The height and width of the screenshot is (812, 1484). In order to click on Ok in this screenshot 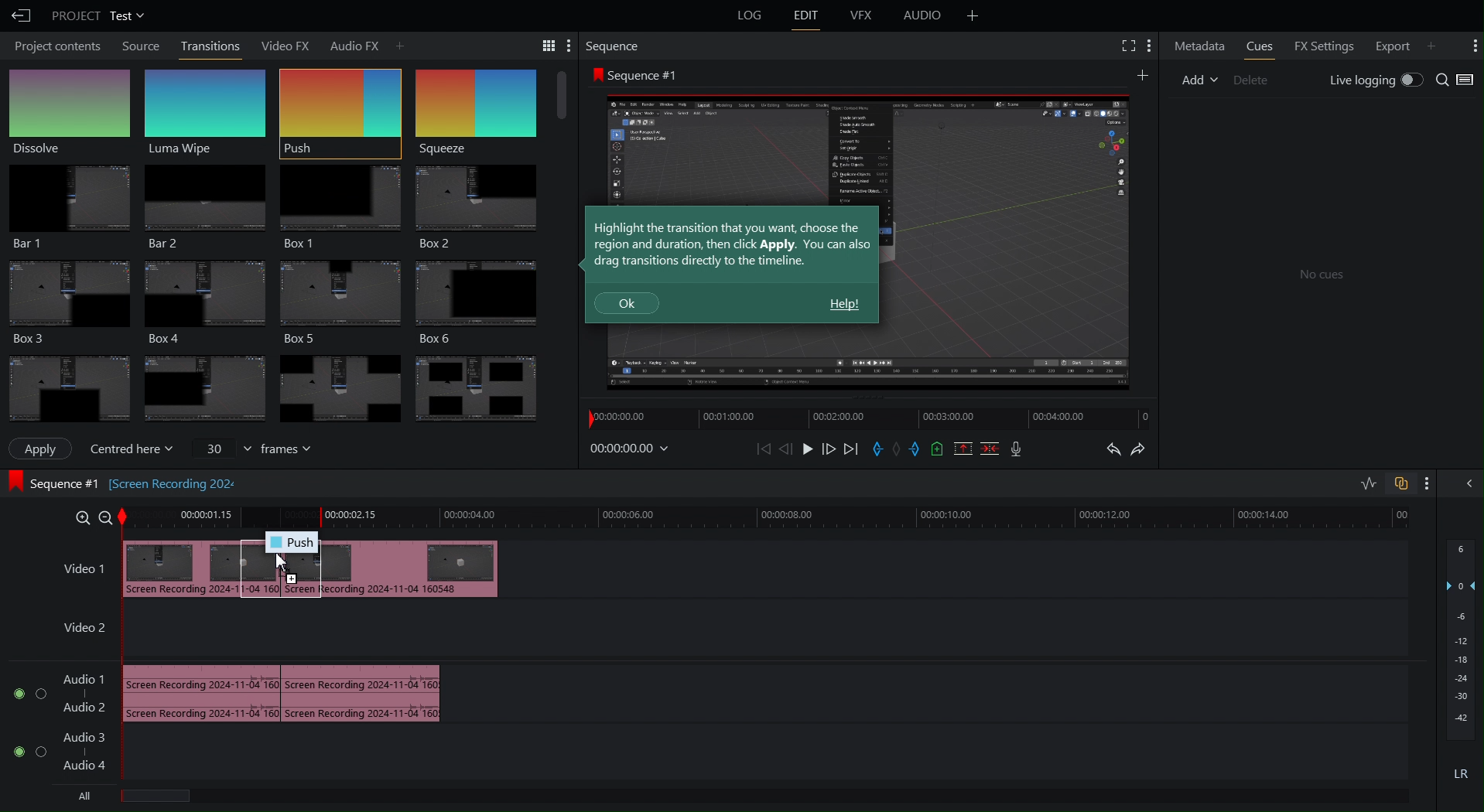, I will do `click(627, 304)`.